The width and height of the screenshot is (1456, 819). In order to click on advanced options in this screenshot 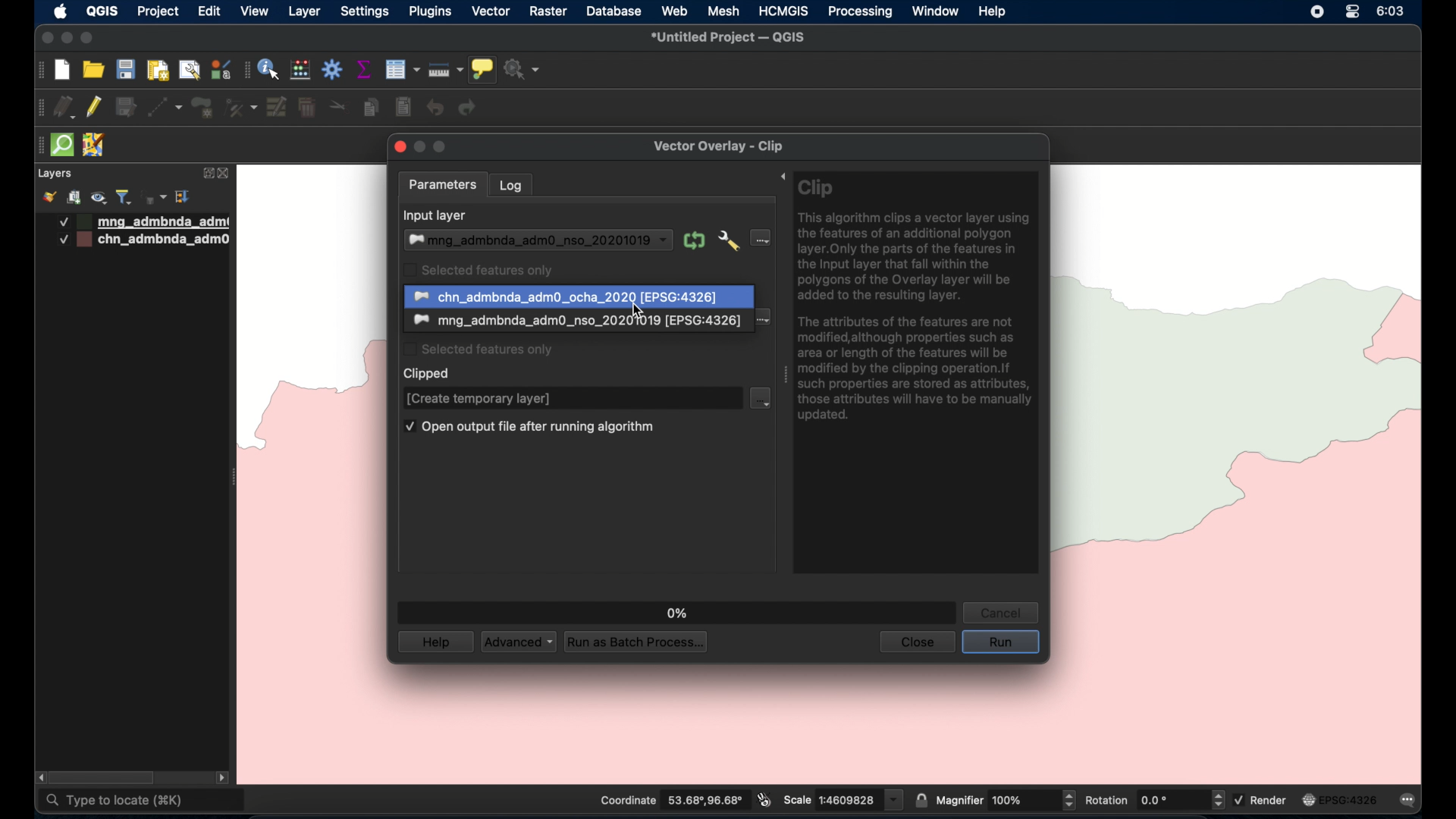, I will do `click(728, 241)`.